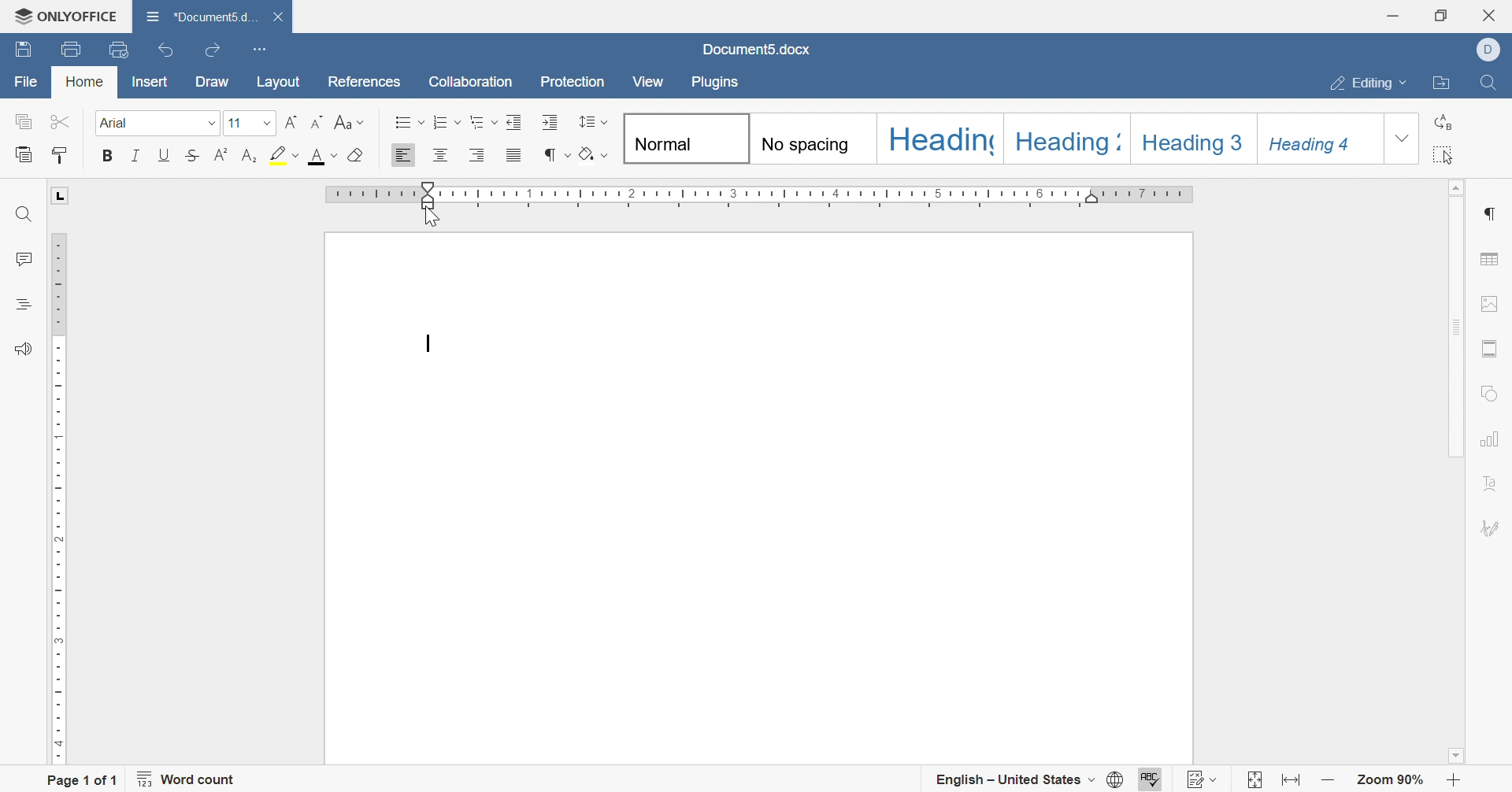 The width and height of the screenshot is (1512, 792). I want to click on spell checking, so click(1155, 779).